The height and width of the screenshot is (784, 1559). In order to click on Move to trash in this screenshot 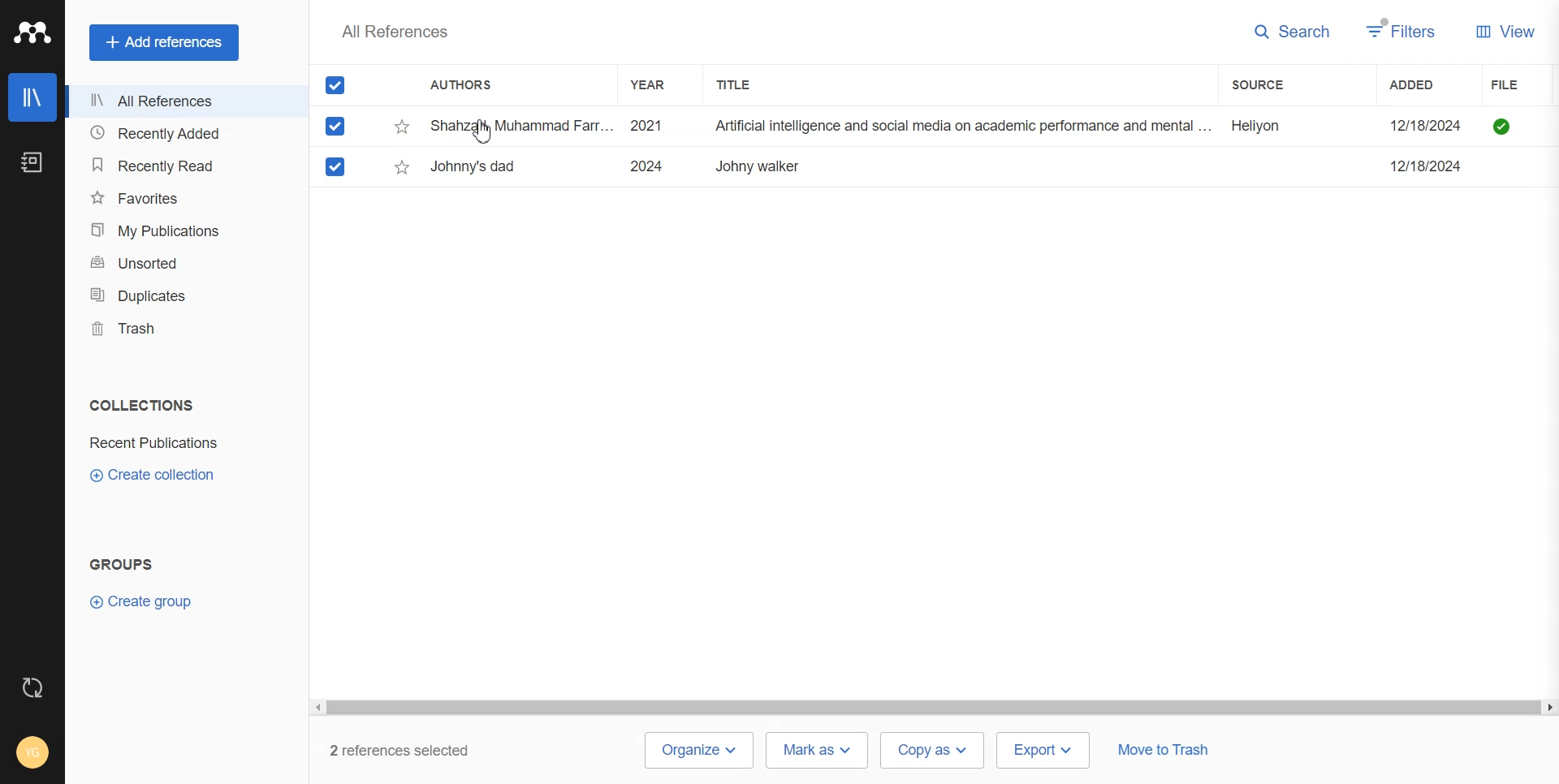, I will do `click(1163, 752)`.